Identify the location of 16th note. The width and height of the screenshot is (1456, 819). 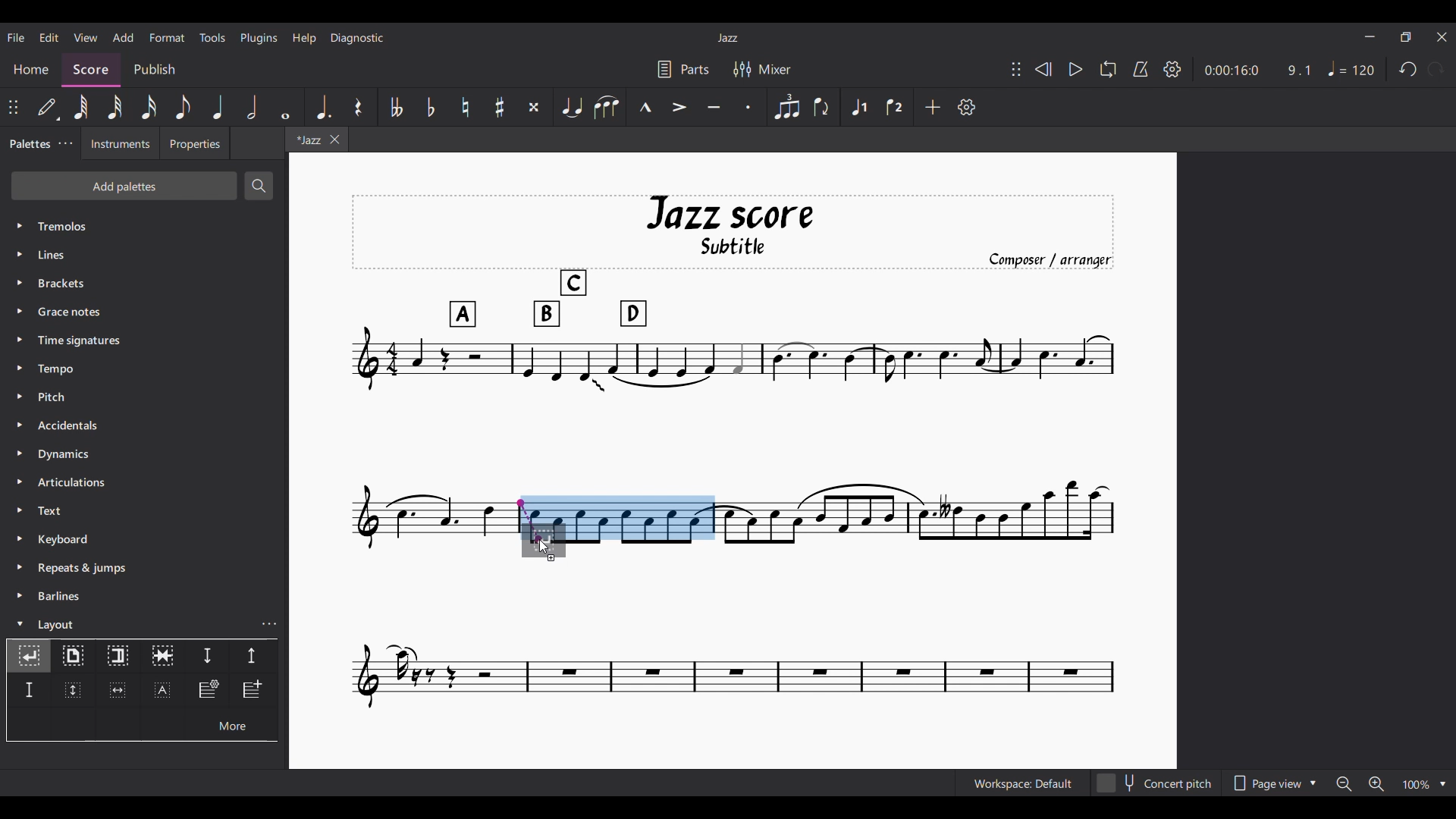
(148, 107).